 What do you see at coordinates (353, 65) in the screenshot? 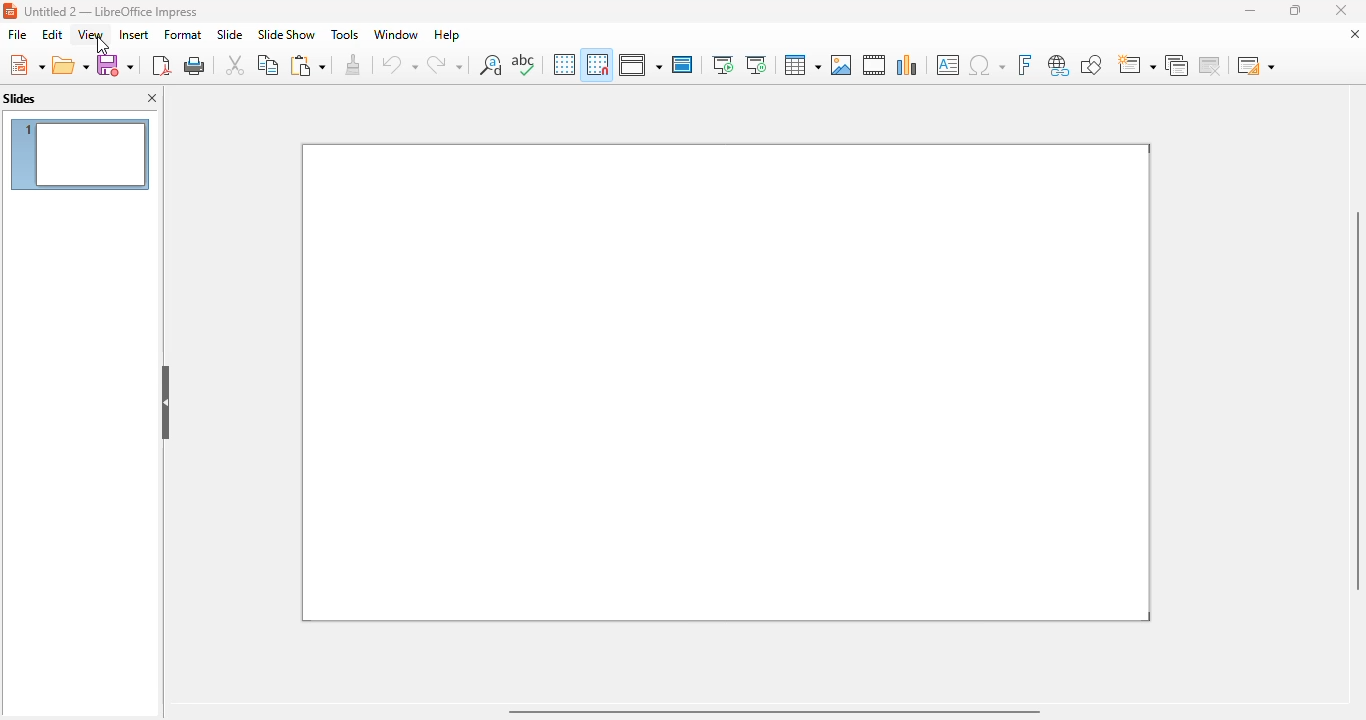
I see `clone formatting` at bounding box center [353, 65].